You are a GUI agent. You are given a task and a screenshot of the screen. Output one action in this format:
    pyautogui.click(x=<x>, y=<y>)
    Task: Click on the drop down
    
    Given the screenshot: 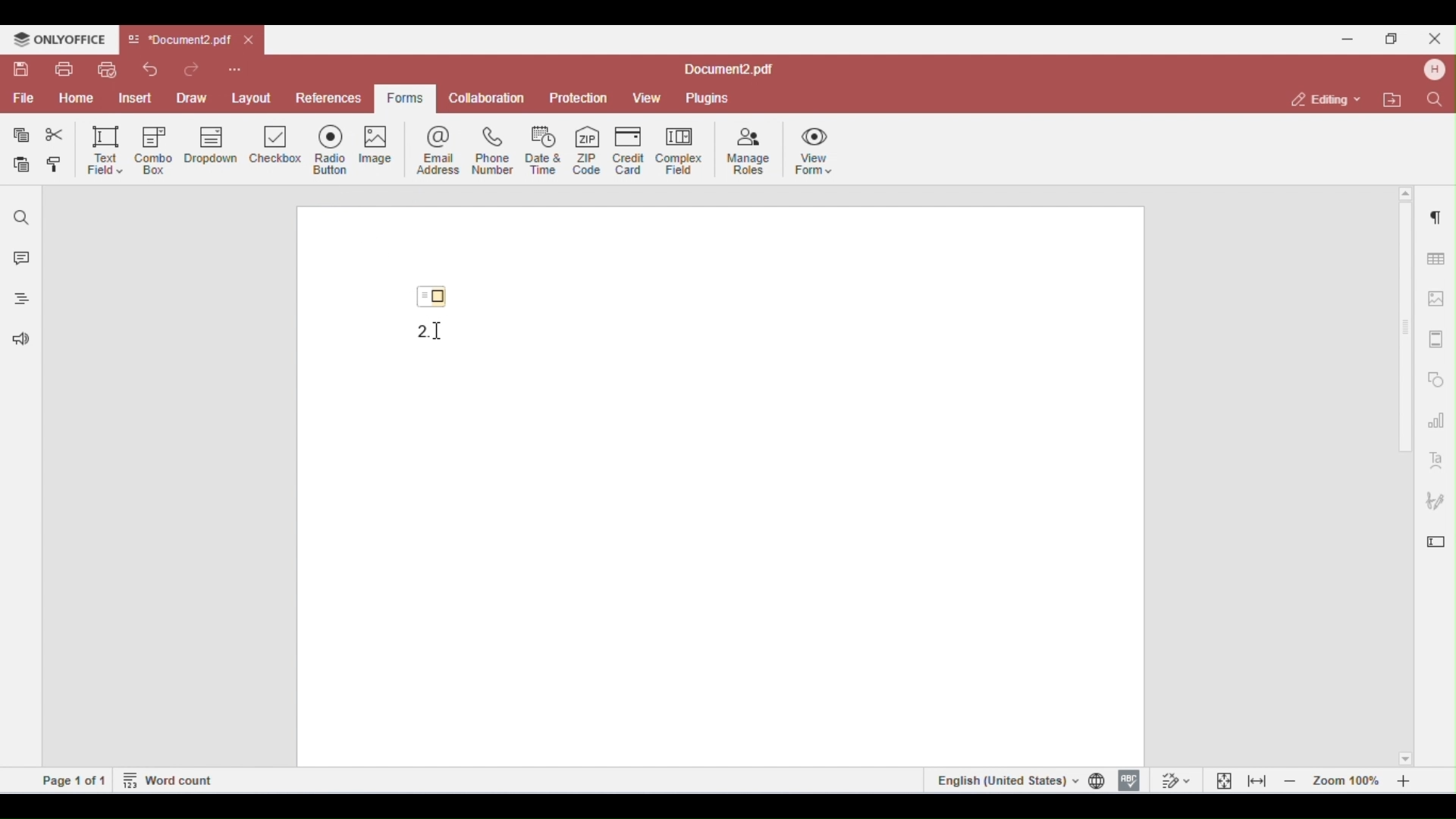 What is the action you would take?
    pyautogui.click(x=211, y=147)
    